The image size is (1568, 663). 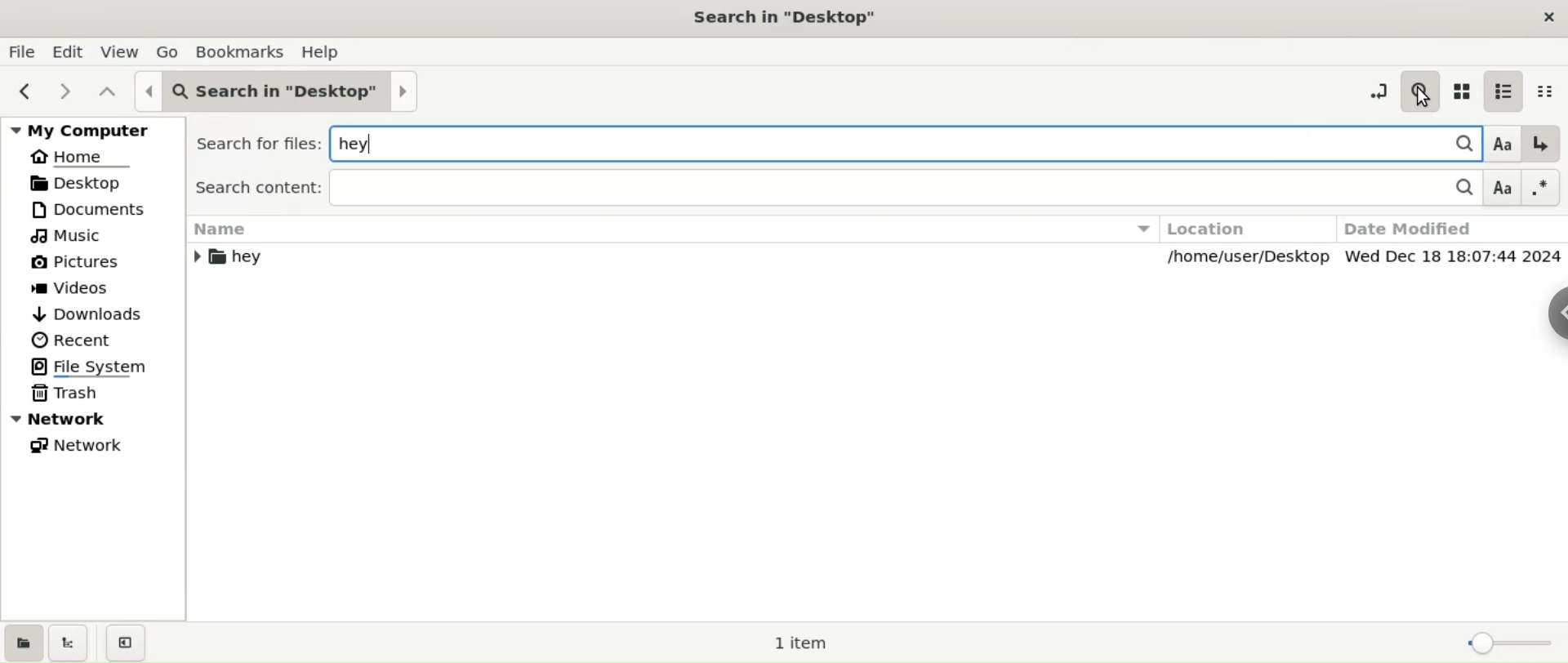 What do you see at coordinates (118, 51) in the screenshot?
I see `view` at bounding box center [118, 51].